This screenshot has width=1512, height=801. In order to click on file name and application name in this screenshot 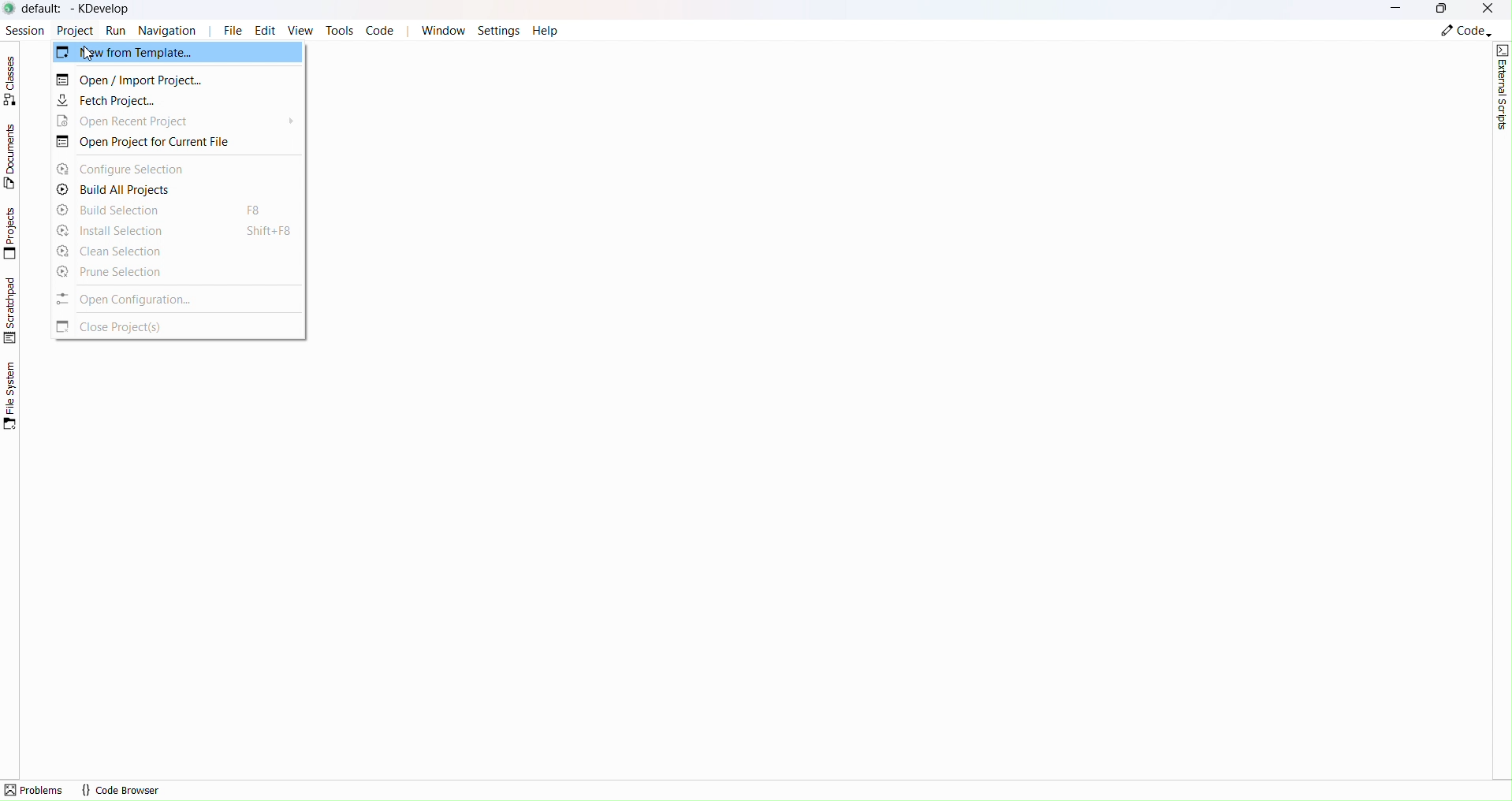, I will do `click(80, 9)`.